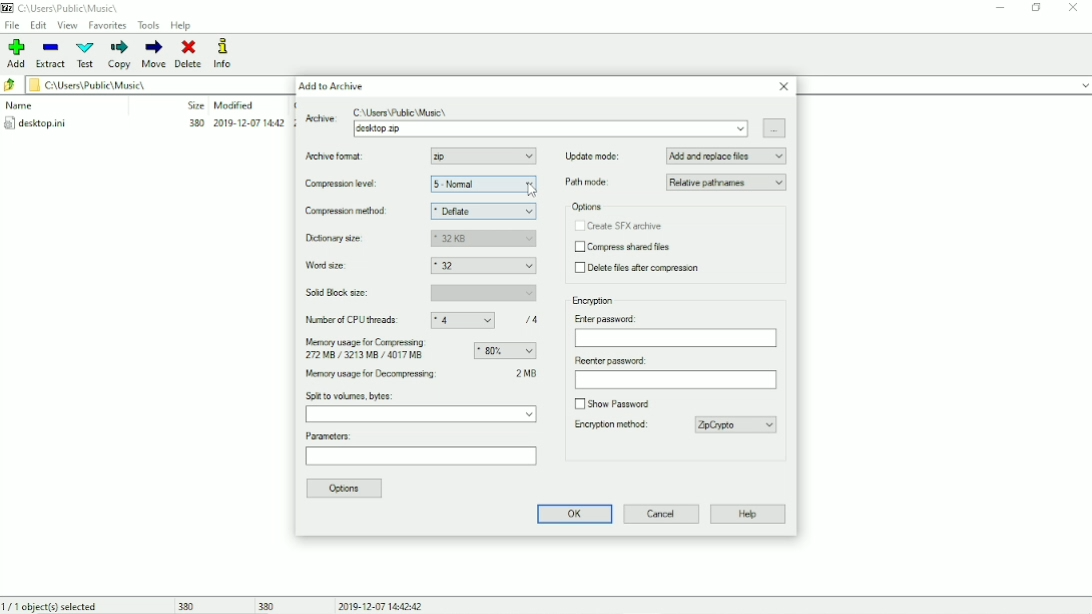 This screenshot has height=614, width=1092. I want to click on 380, so click(187, 604).